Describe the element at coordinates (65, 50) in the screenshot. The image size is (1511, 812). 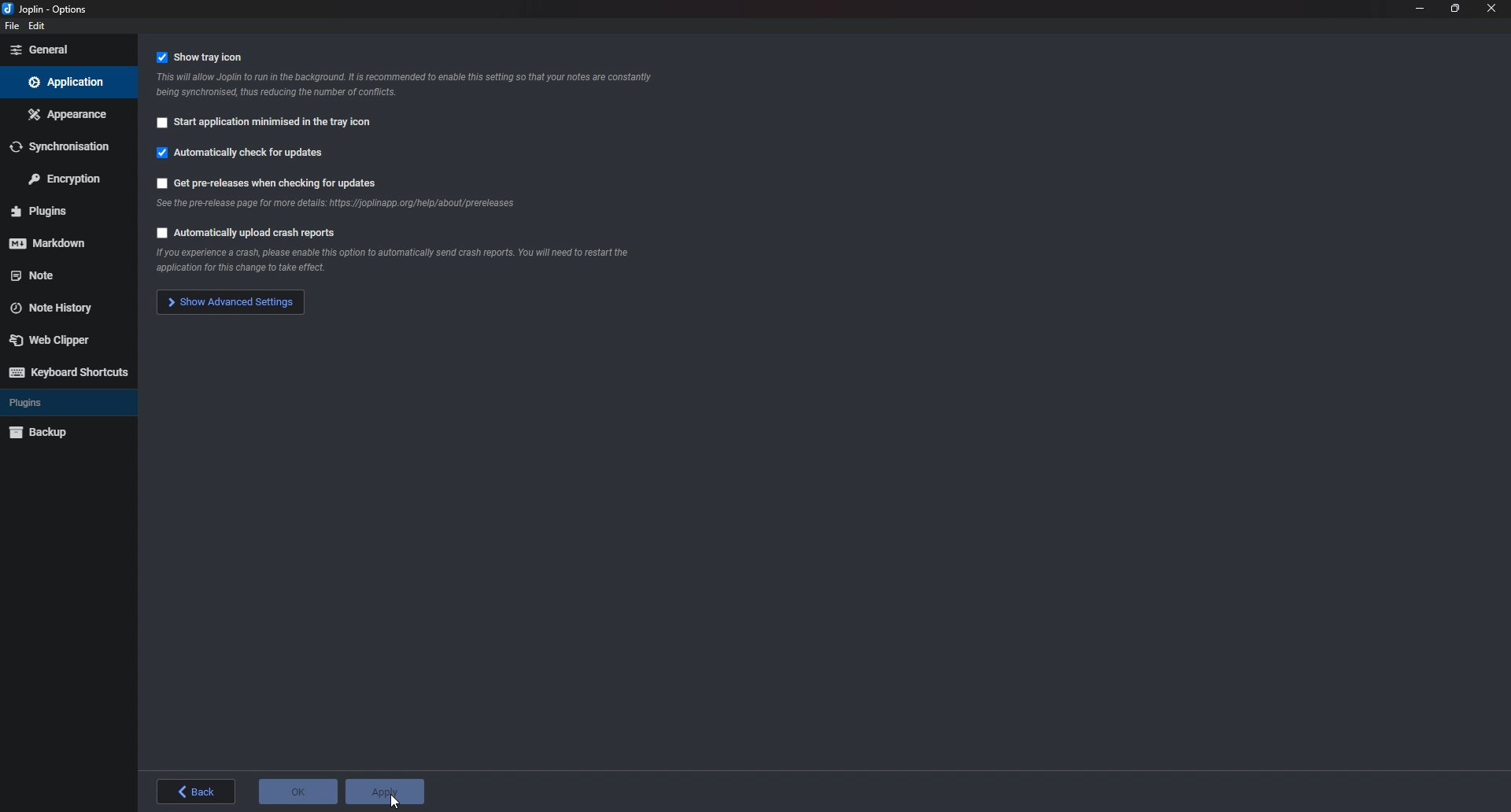
I see `General` at that location.